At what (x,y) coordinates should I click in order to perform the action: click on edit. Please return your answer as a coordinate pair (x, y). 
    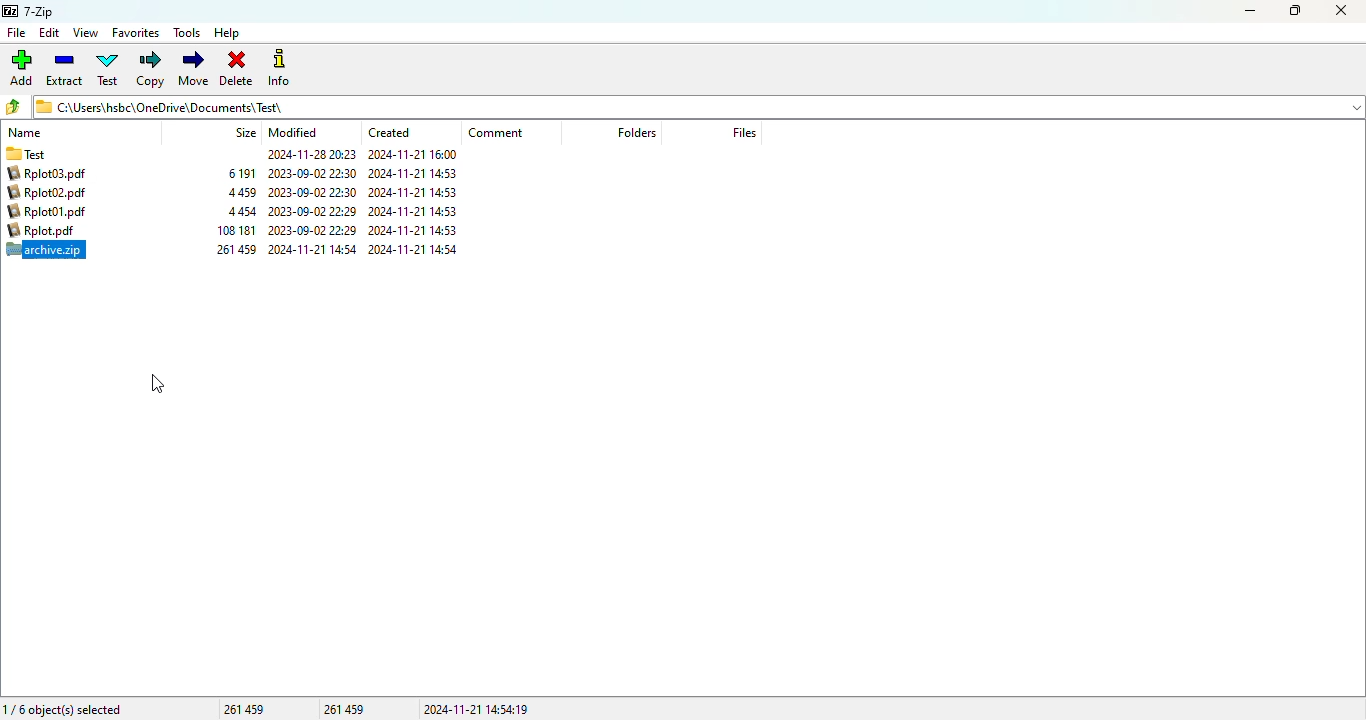
    Looking at the image, I should click on (50, 33).